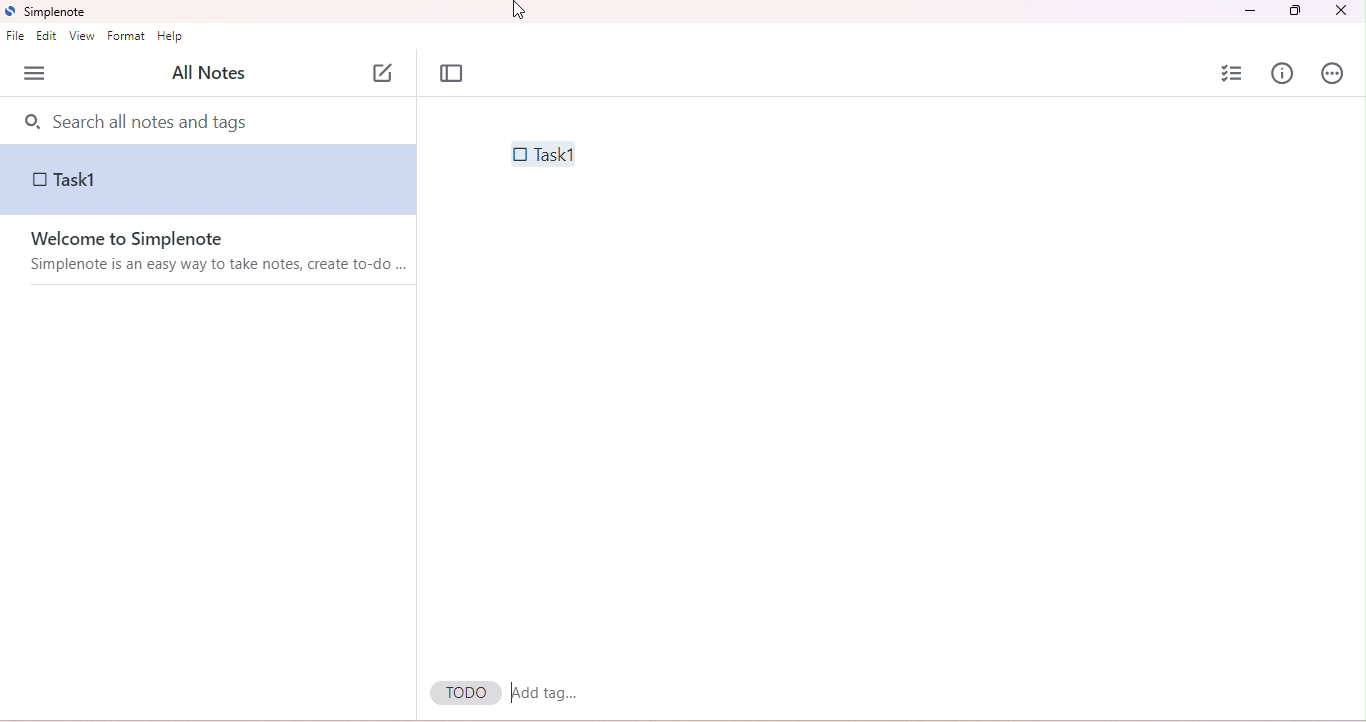  What do you see at coordinates (1340, 12) in the screenshot?
I see `close` at bounding box center [1340, 12].